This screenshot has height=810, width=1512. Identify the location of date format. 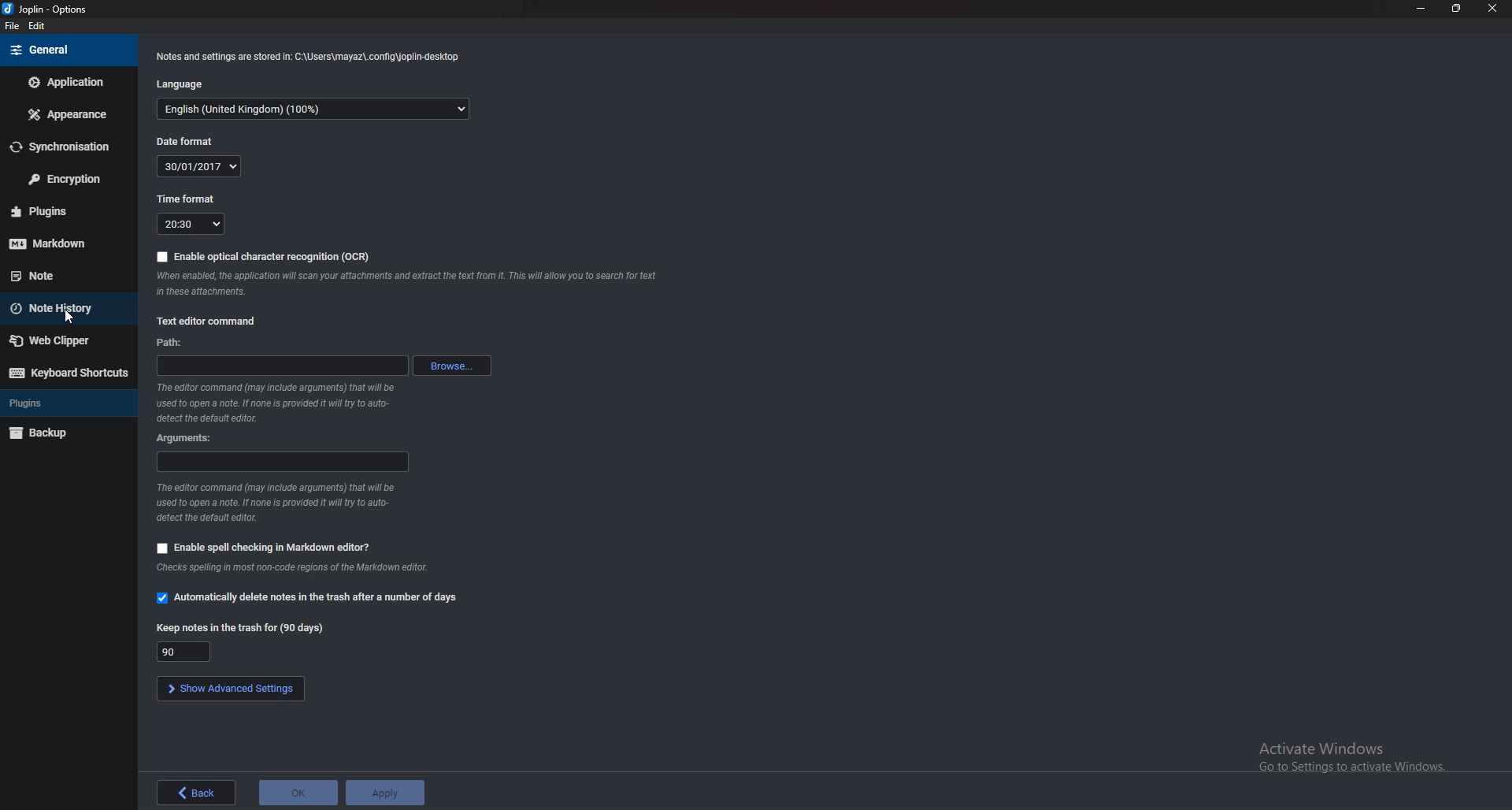
(198, 167).